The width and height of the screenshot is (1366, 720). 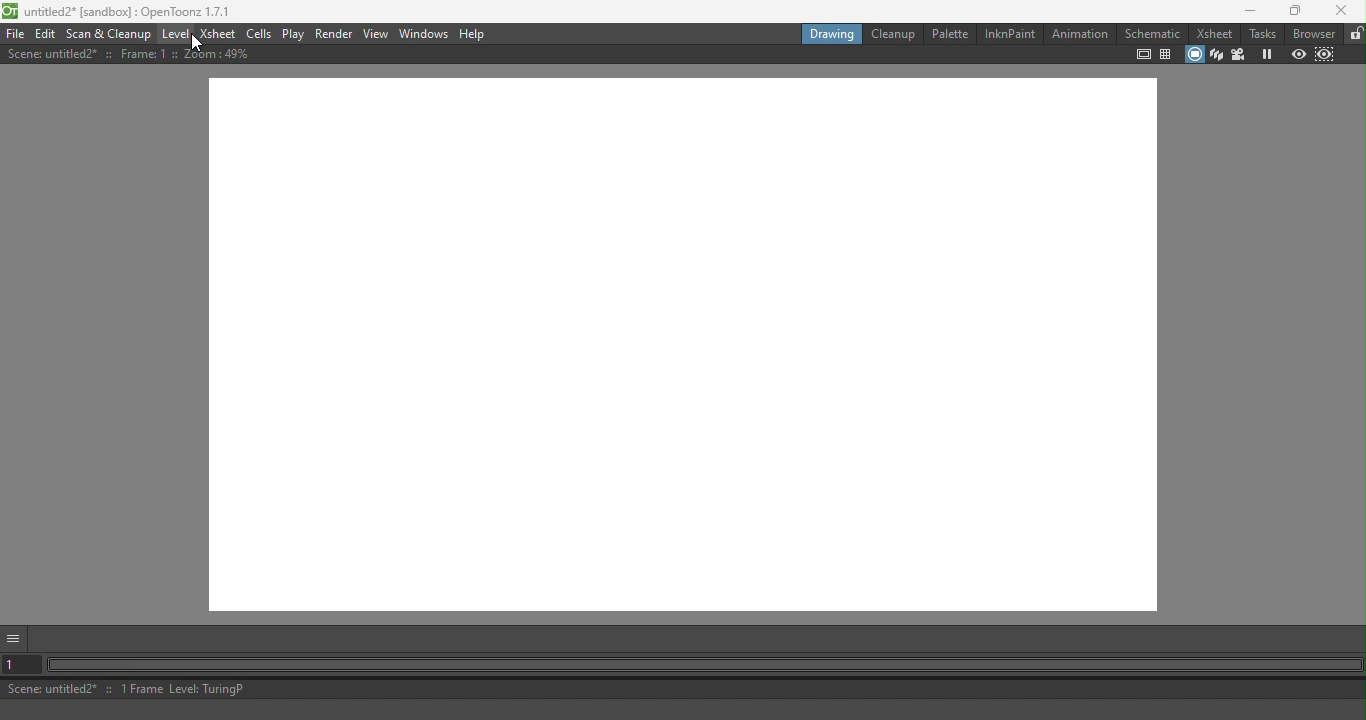 I want to click on Help, so click(x=474, y=35).